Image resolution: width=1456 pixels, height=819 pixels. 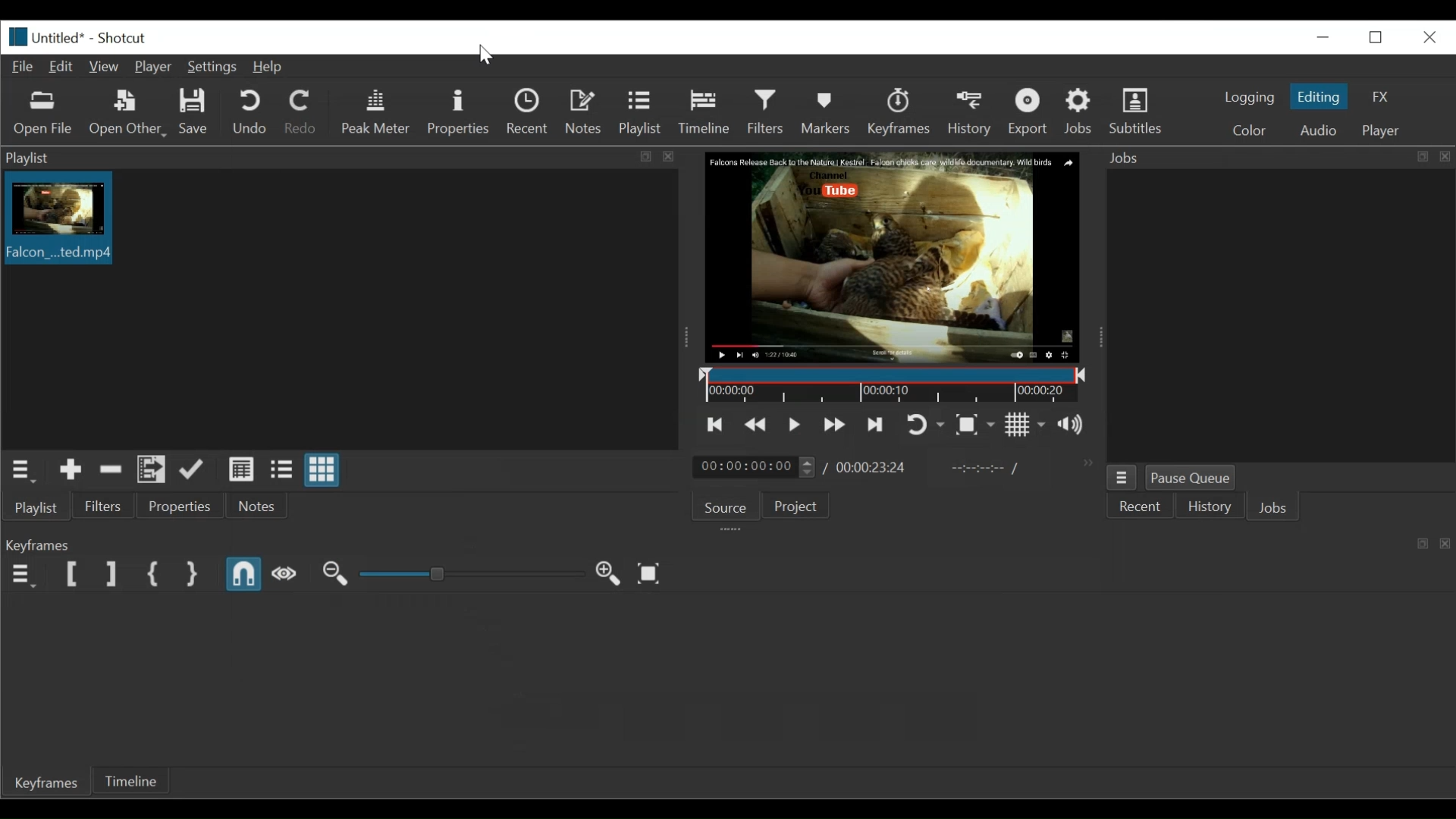 I want to click on Filters, so click(x=768, y=111).